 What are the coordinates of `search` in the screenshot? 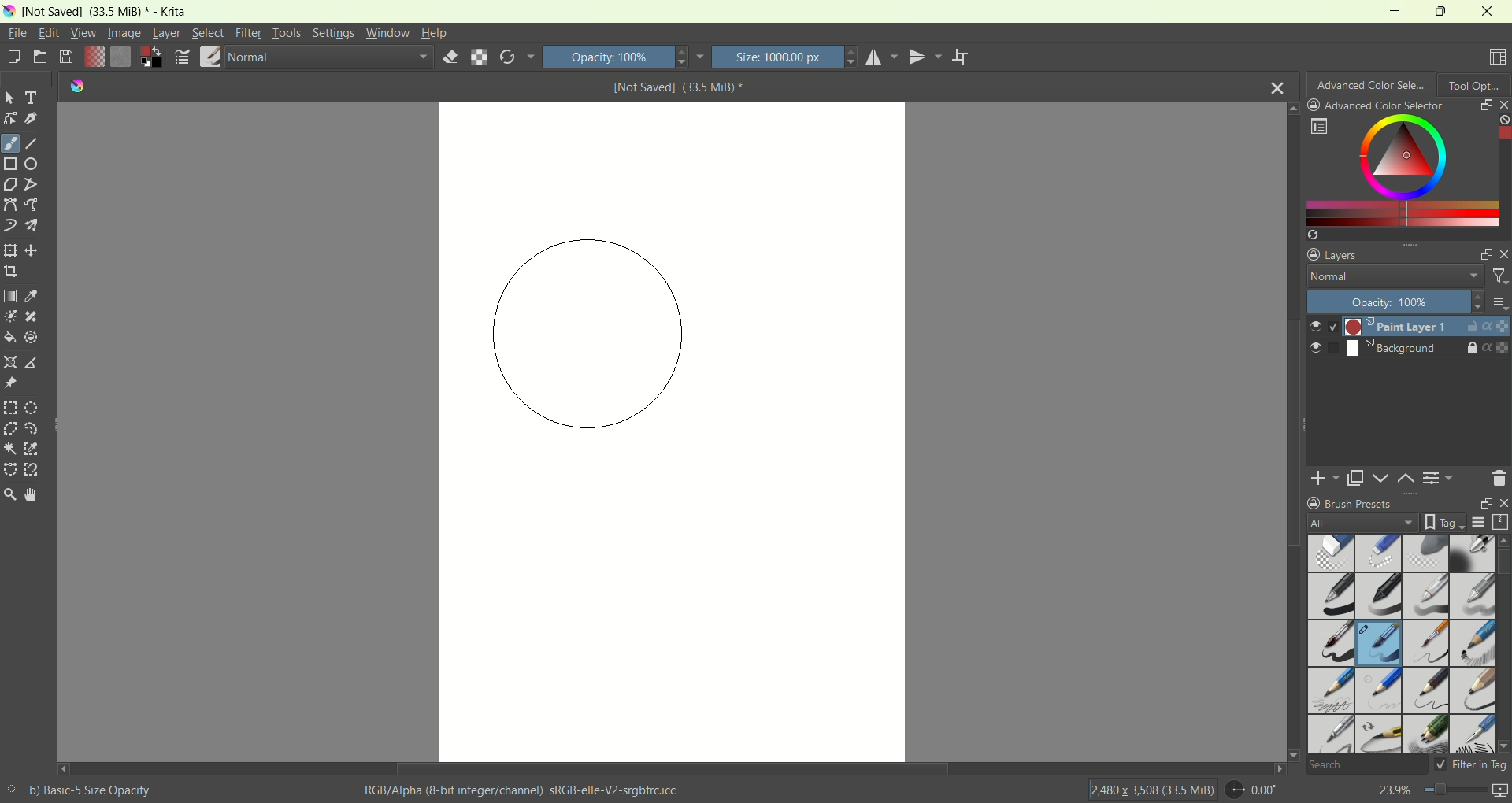 It's located at (1366, 766).